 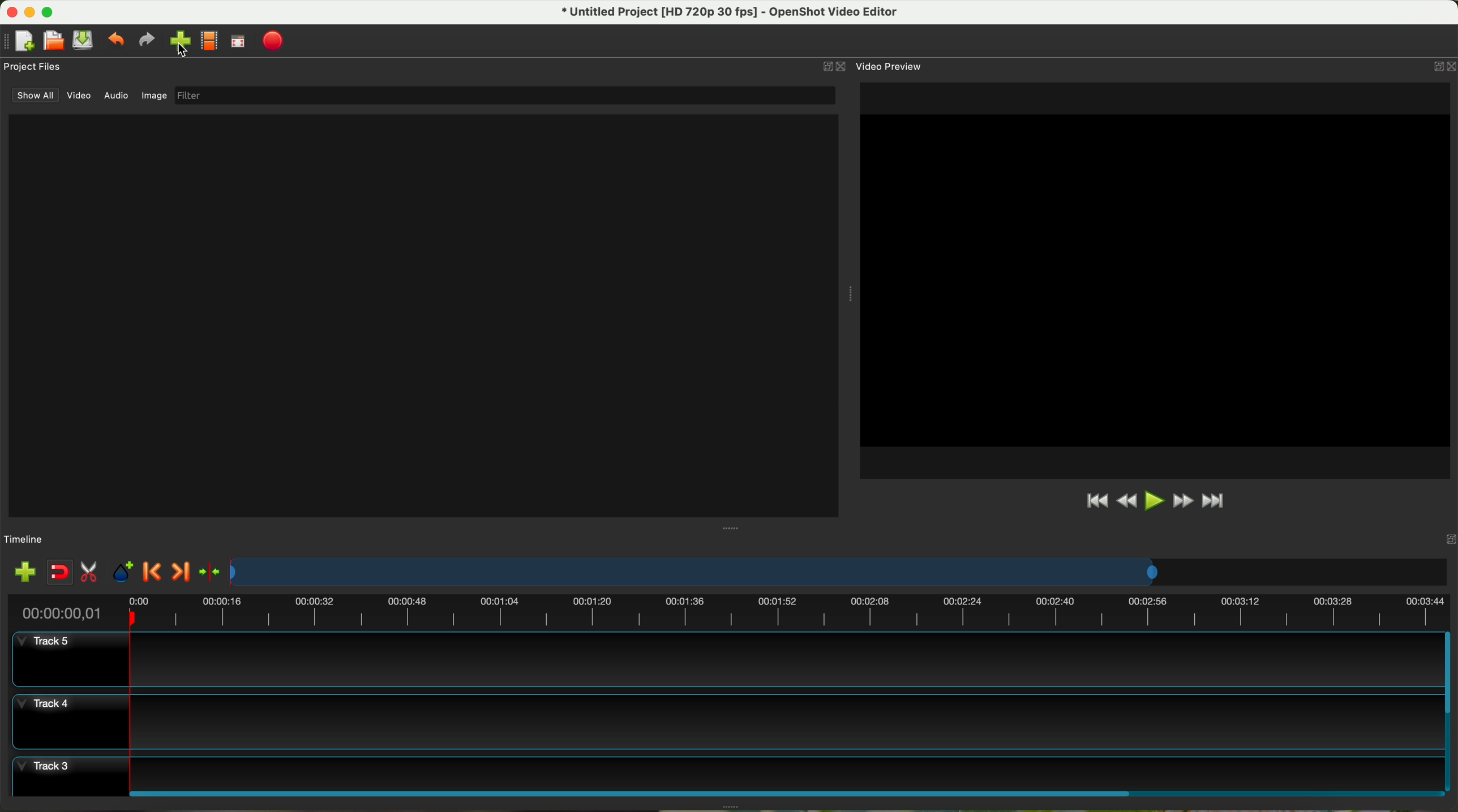 What do you see at coordinates (840, 572) in the screenshot?
I see `timeline` at bounding box center [840, 572].